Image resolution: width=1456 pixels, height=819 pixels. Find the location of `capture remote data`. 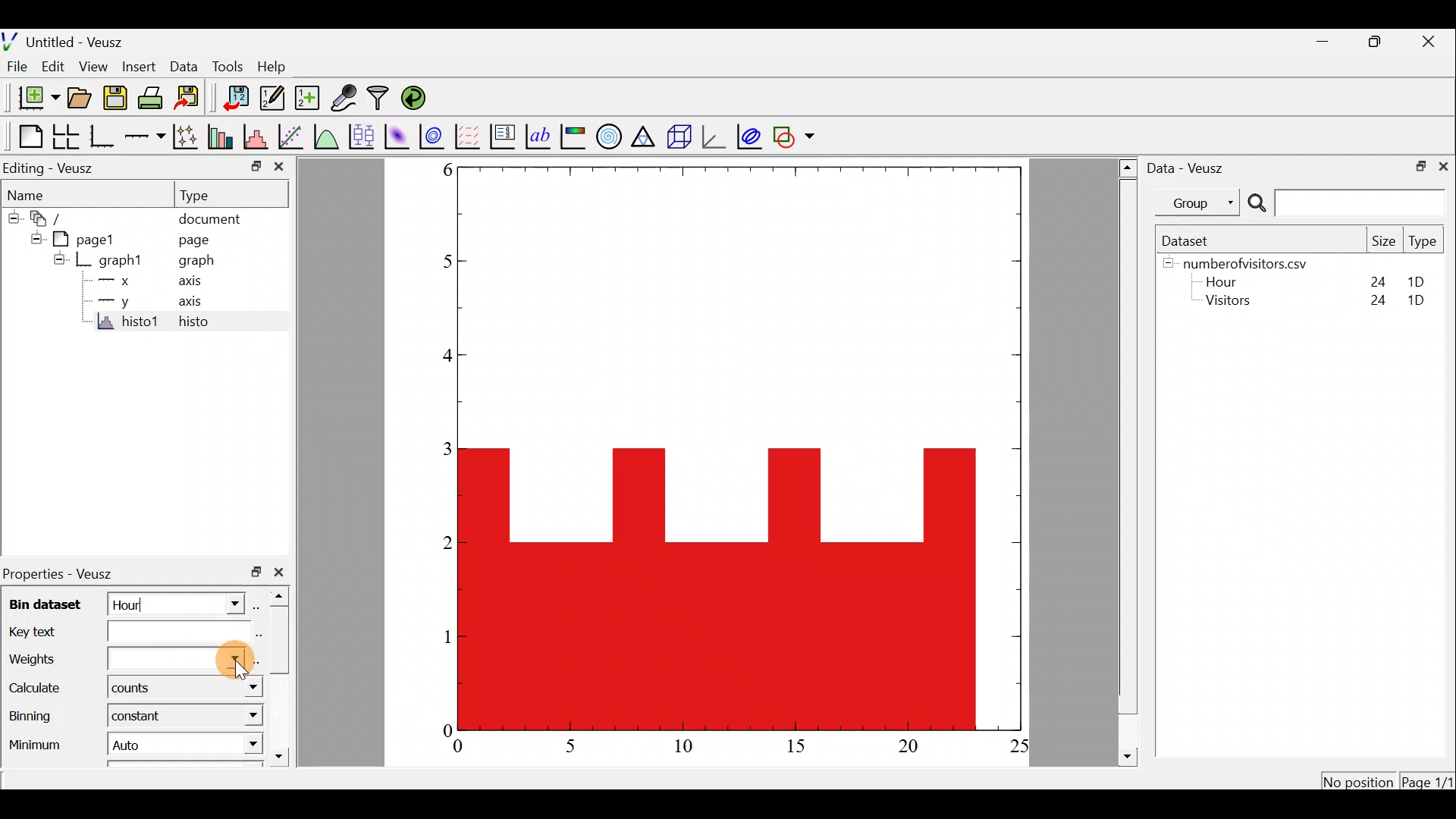

capture remote data is located at coordinates (343, 98).